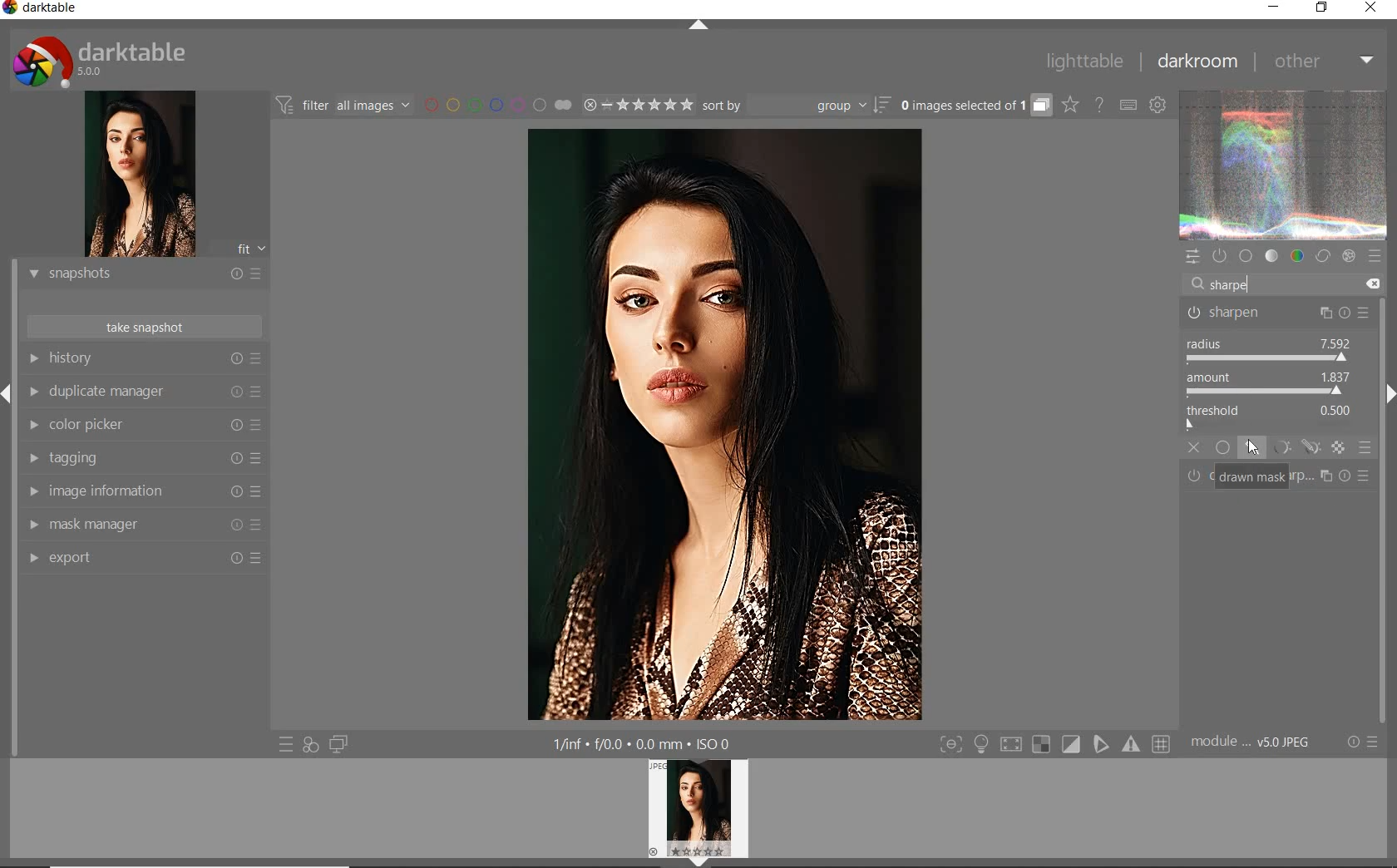 This screenshot has height=868, width=1397. What do you see at coordinates (1191, 257) in the screenshot?
I see `quick access panel` at bounding box center [1191, 257].